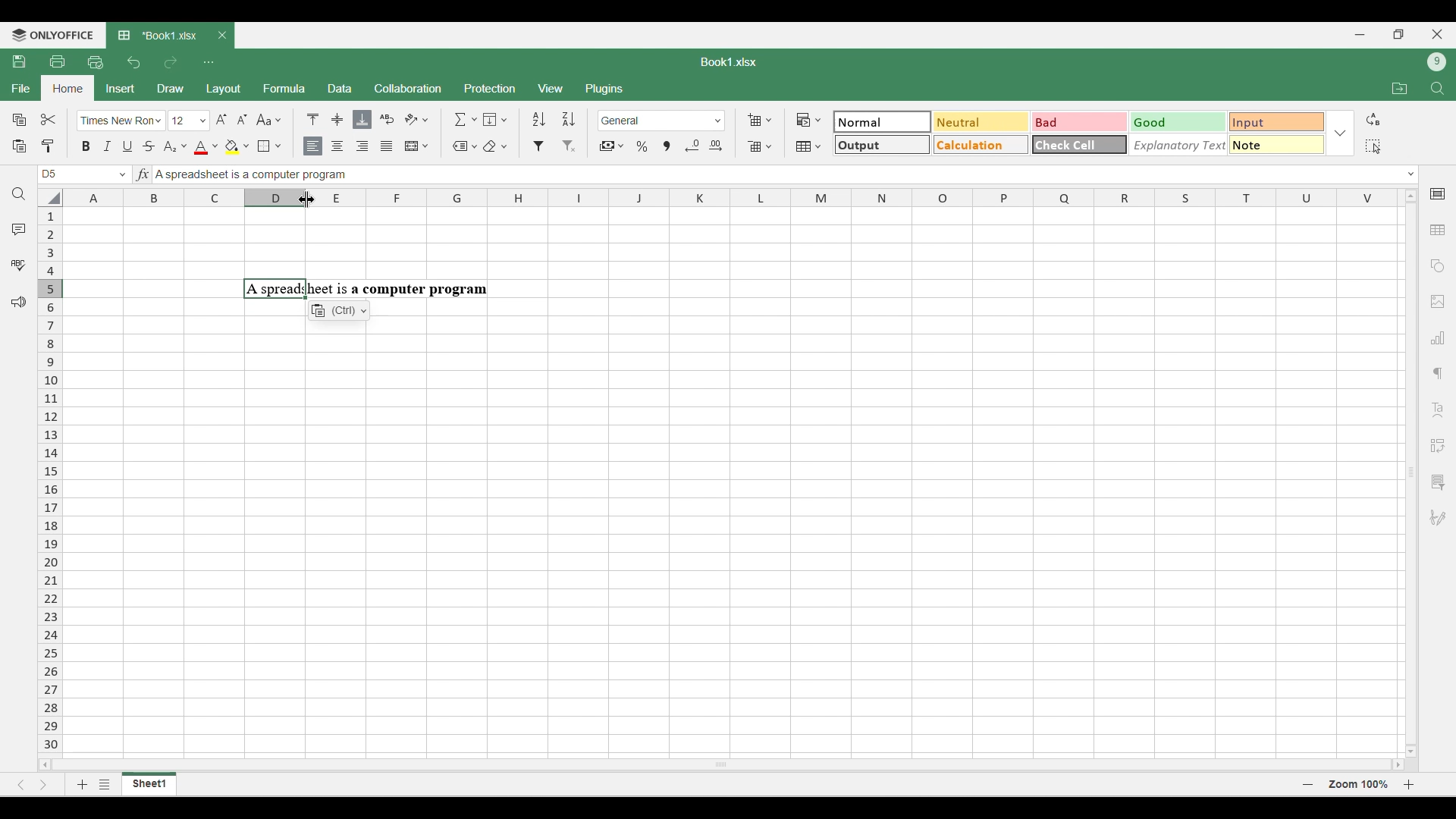  What do you see at coordinates (133, 62) in the screenshot?
I see `Undo` at bounding box center [133, 62].